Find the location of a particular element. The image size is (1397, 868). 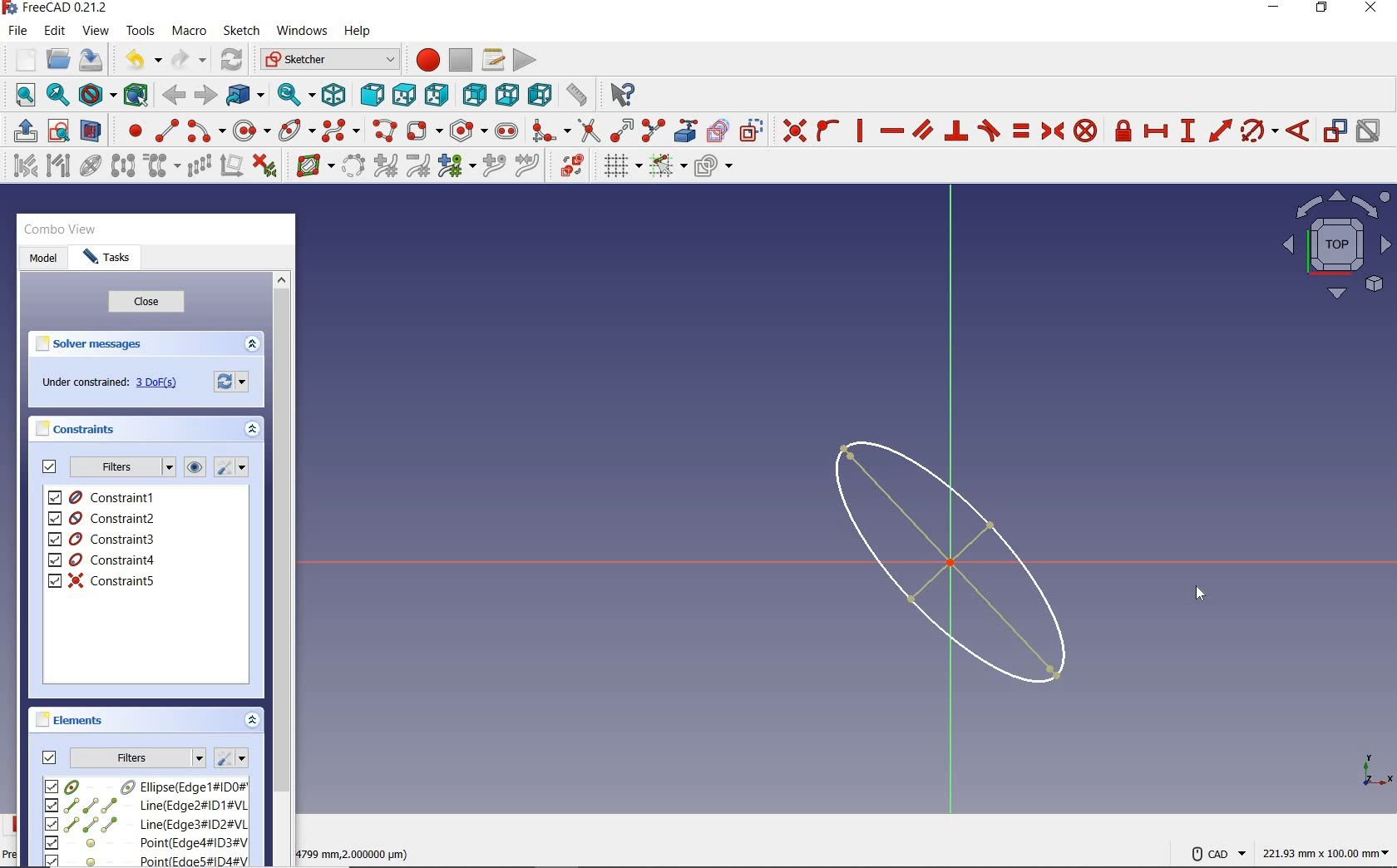

save is located at coordinates (90, 60).